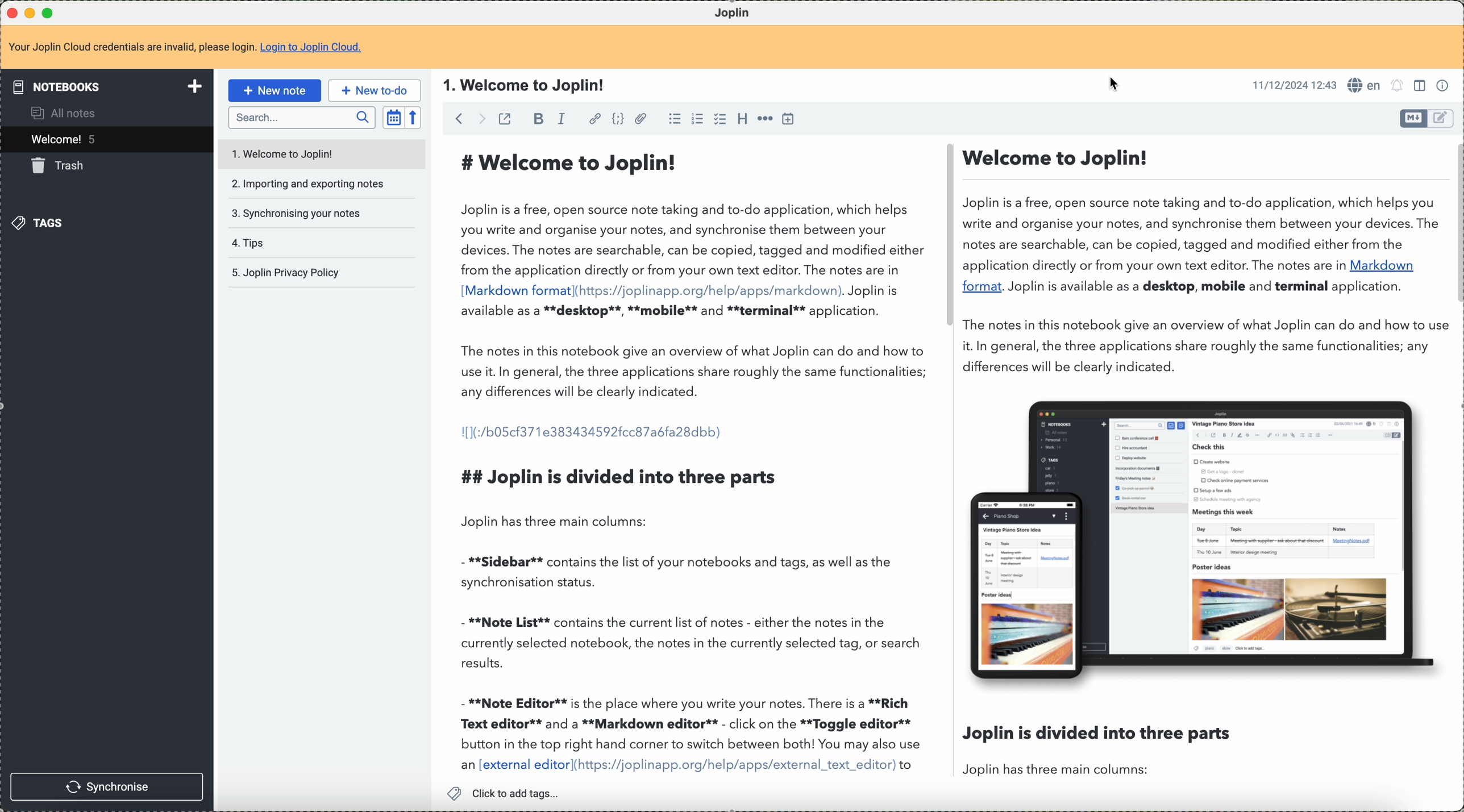  I want to click on language, so click(1364, 85).